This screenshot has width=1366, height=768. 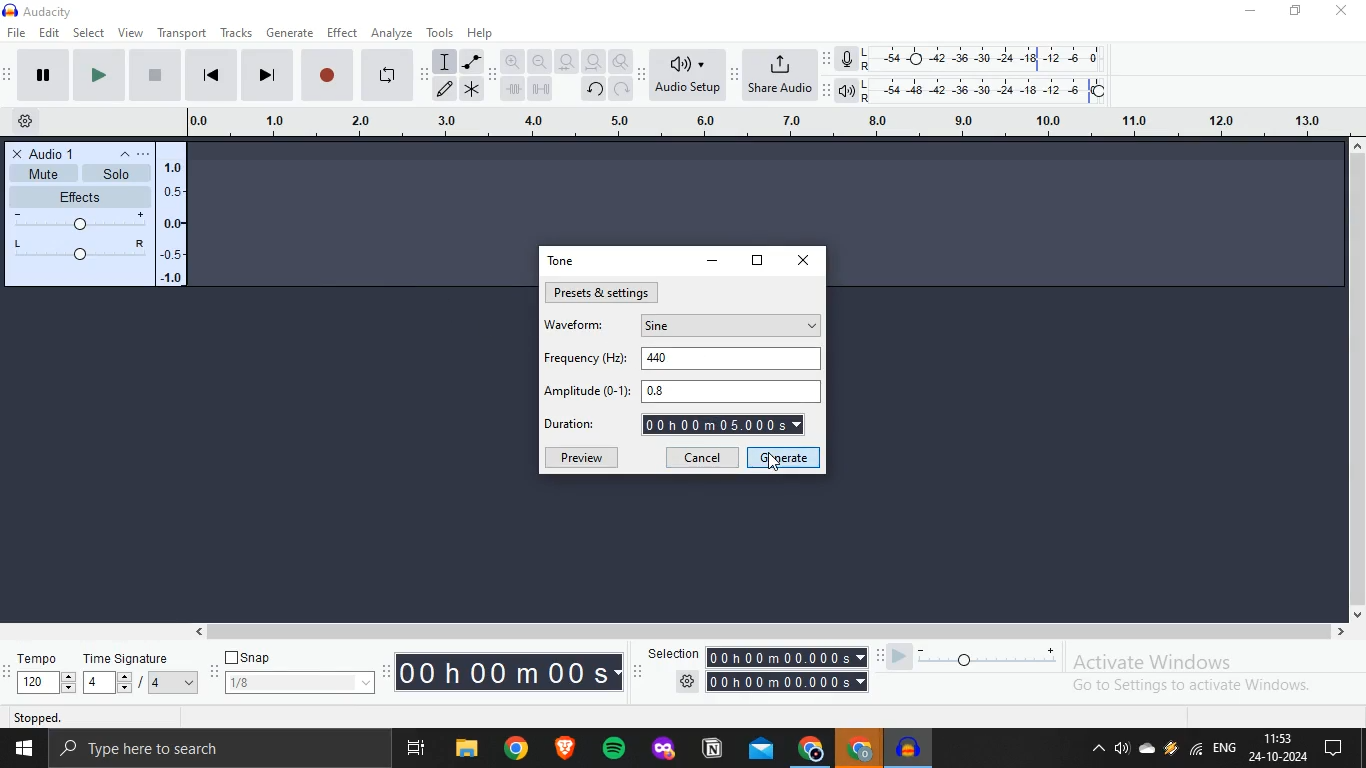 What do you see at coordinates (1122, 750) in the screenshot?
I see `Sound` at bounding box center [1122, 750].